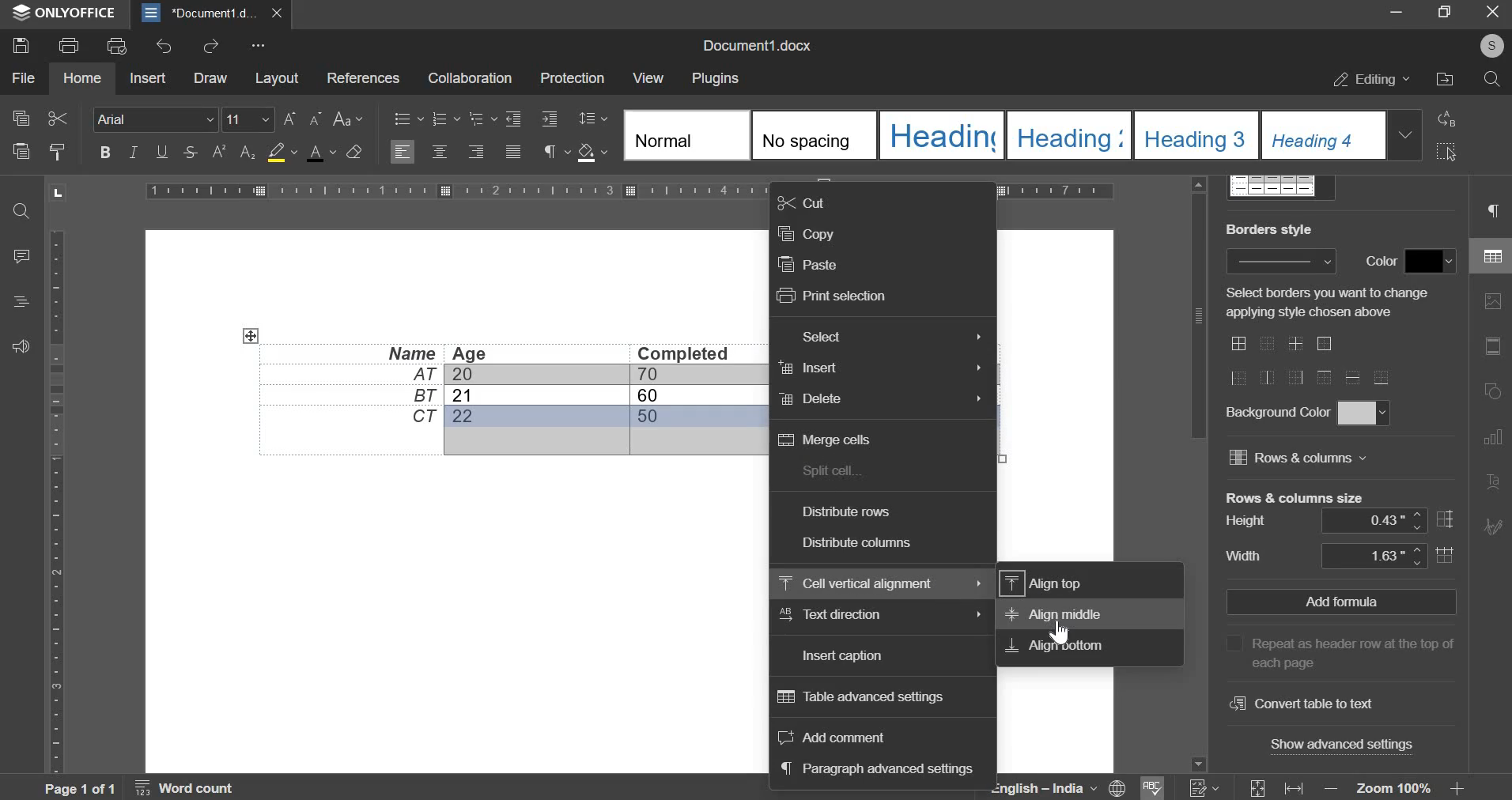  Describe the element at coordinates (345, 116) in the screenshot. I see `change case` at that location.